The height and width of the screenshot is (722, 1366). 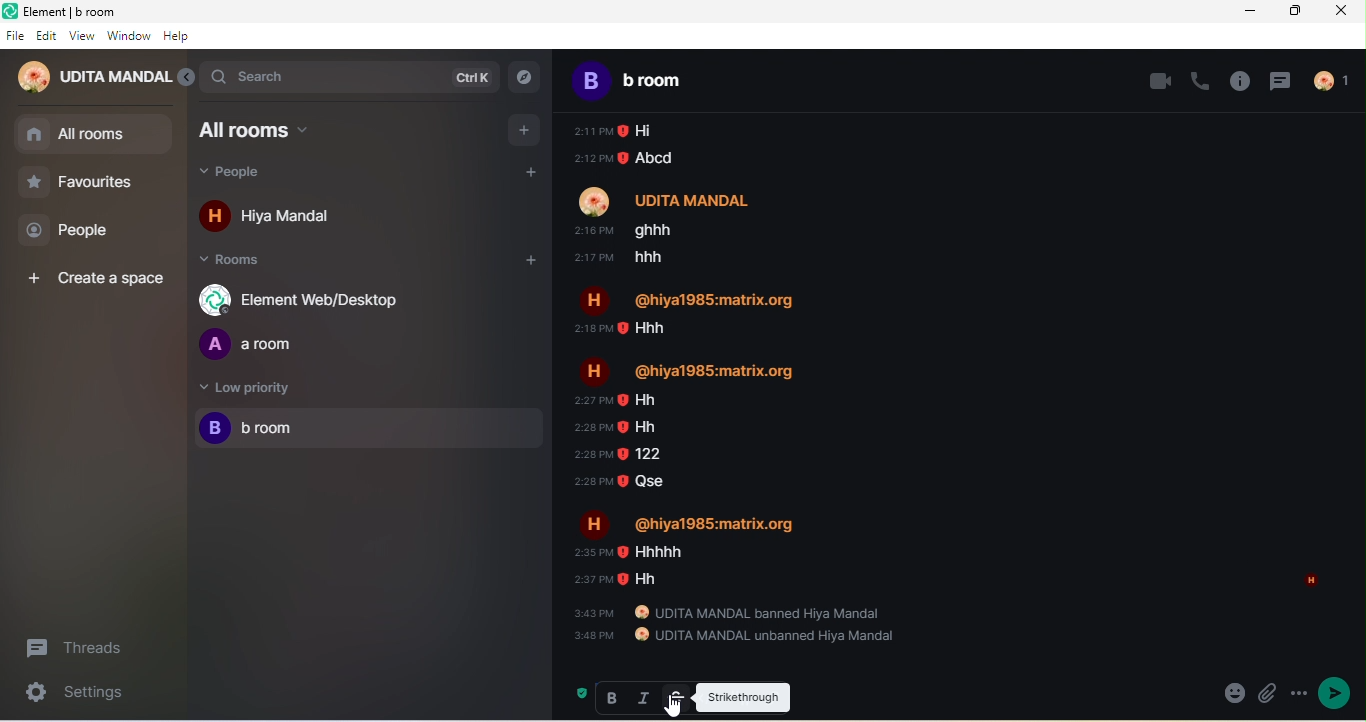 I want to click on voice call, so click(x=1203, y=79).